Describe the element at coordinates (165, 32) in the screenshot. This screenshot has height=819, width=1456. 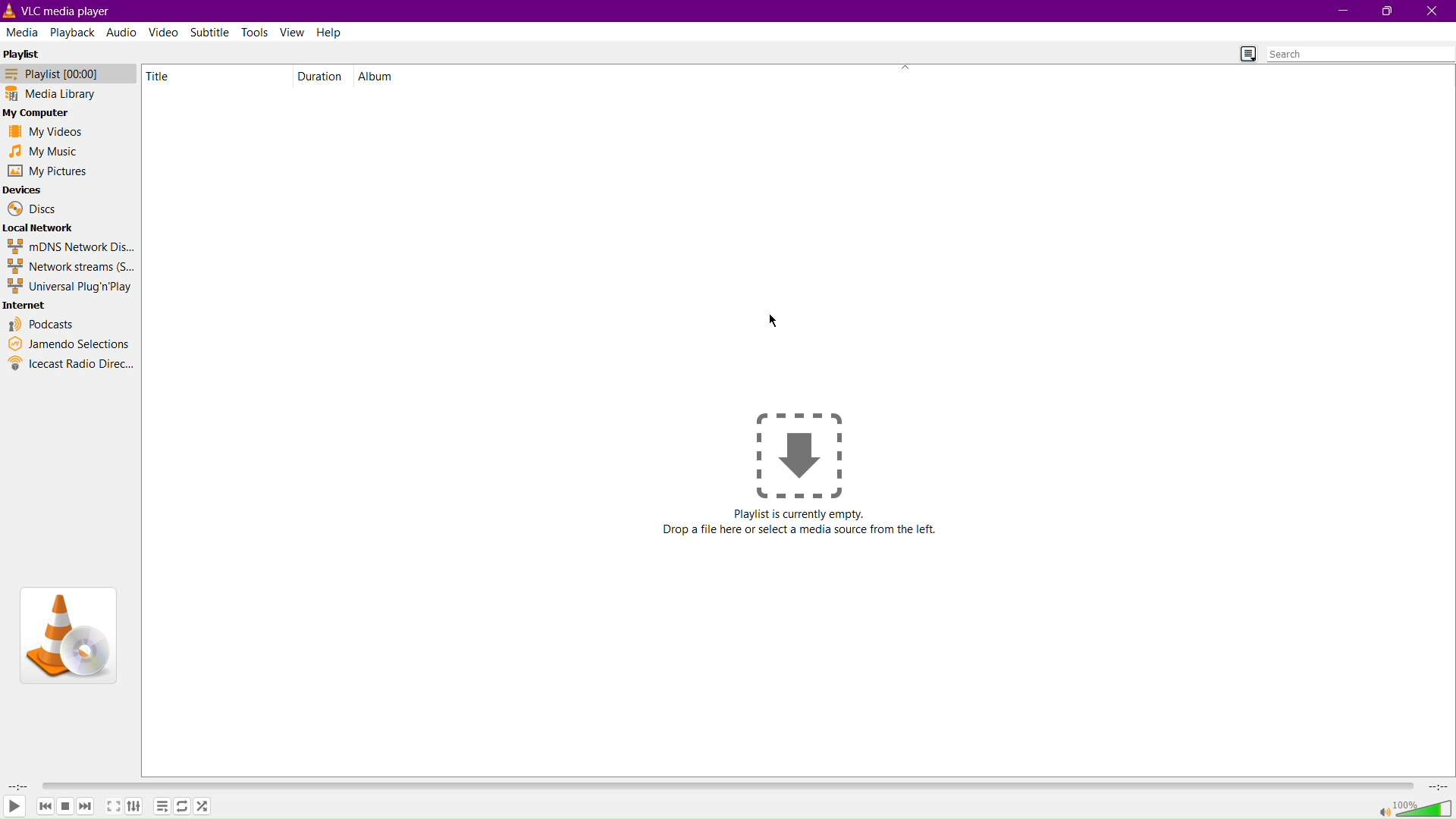
I see `Video` at that location.